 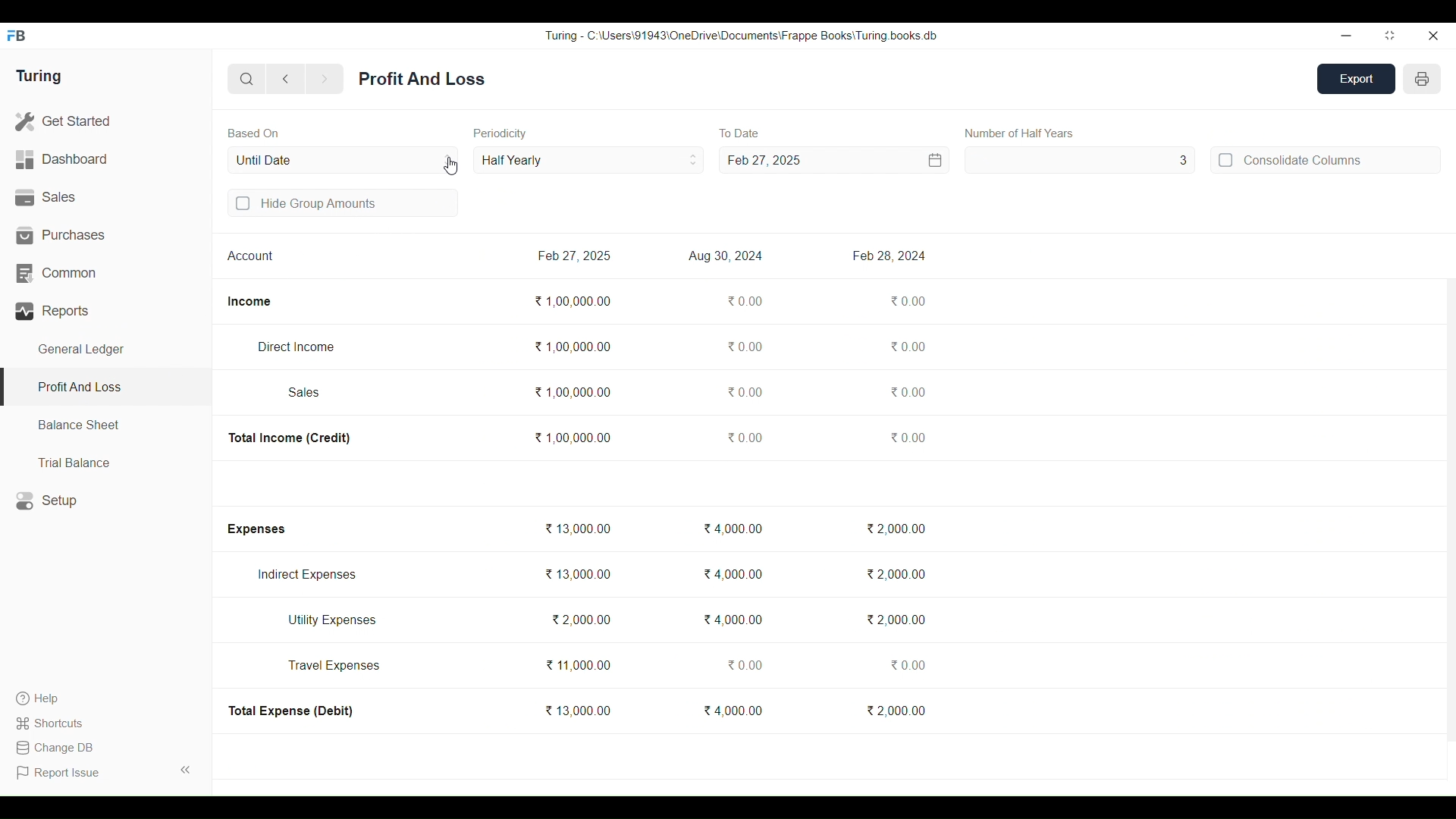 What do you see at coordinates (334, 620) in the screenshot?
I see `Utility Expenses` at bounding box center [334, 620].